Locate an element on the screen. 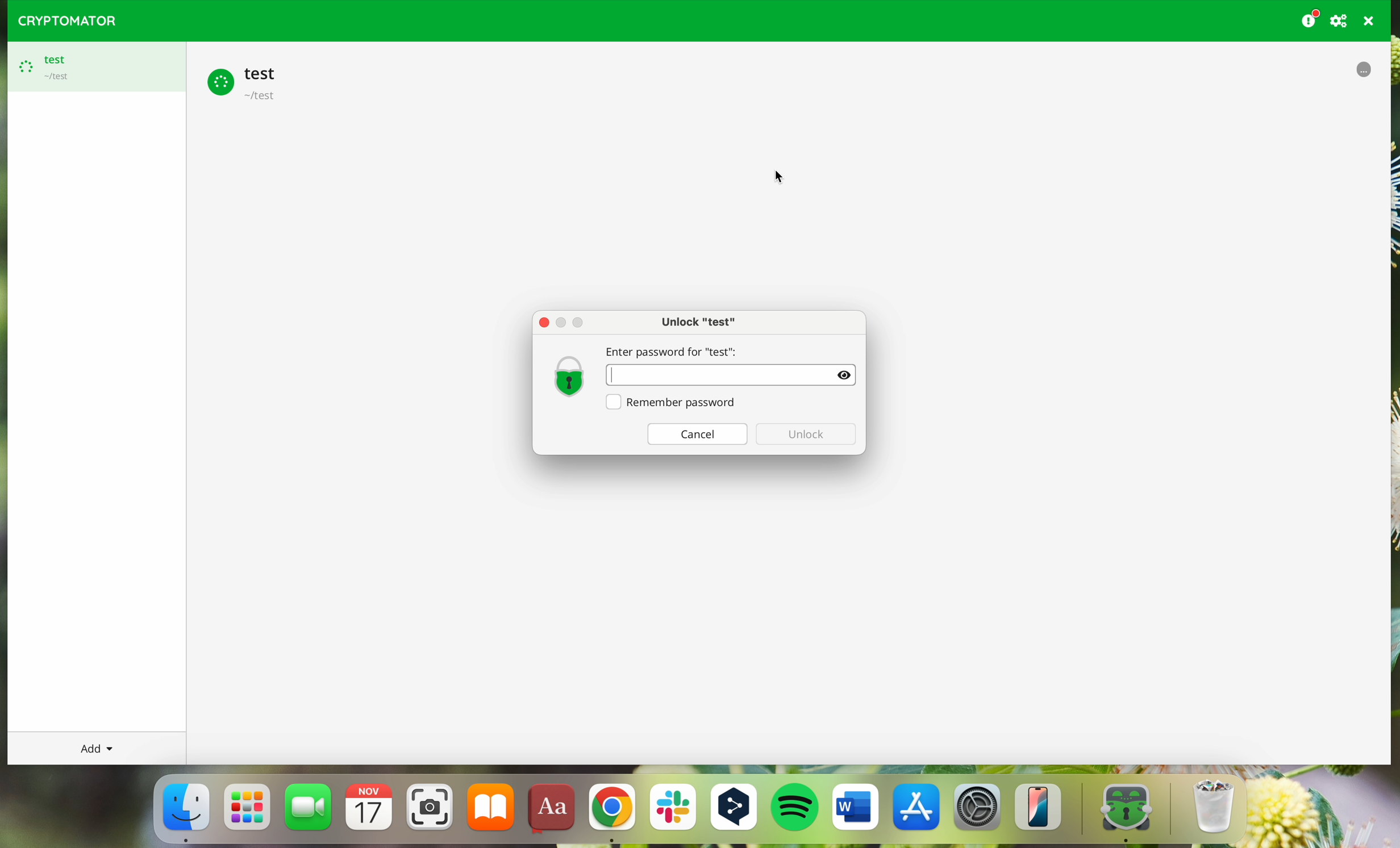  trash is located at coordinates (1211, 811).